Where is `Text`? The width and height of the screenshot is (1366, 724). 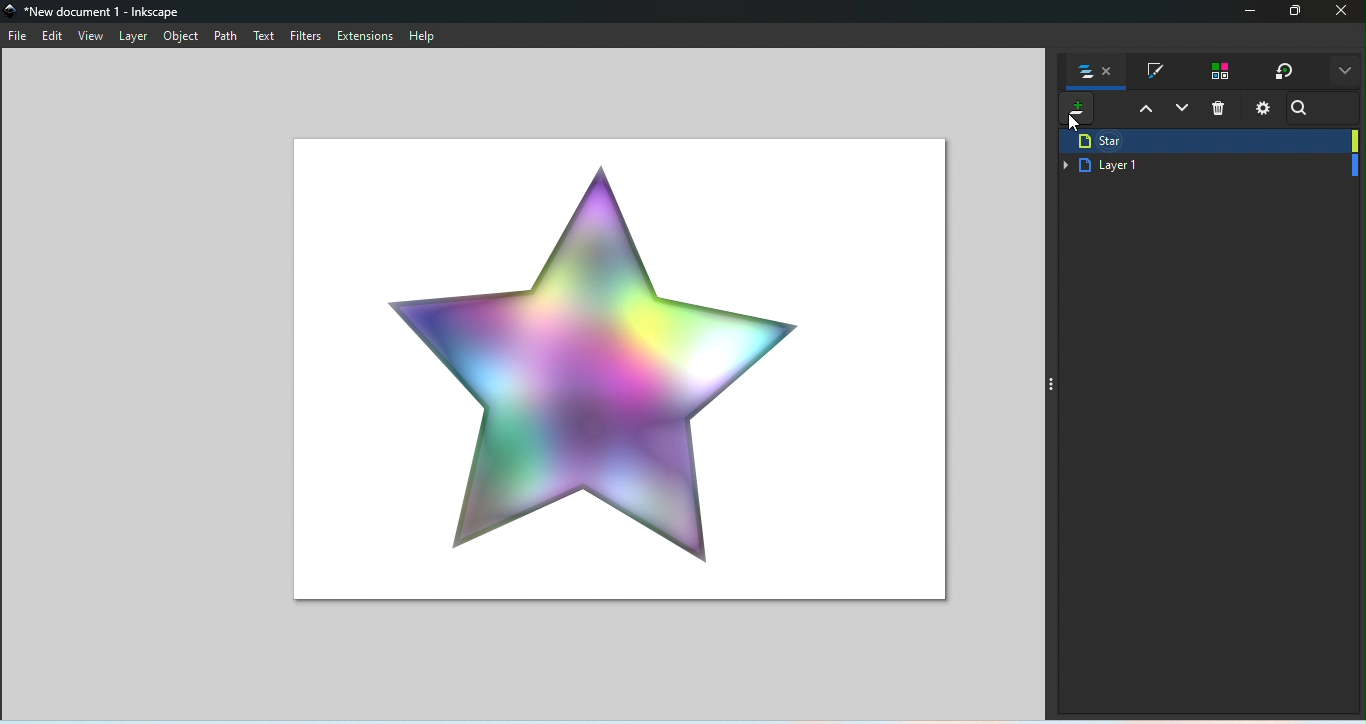 Text is located at coordinates (266, 37).